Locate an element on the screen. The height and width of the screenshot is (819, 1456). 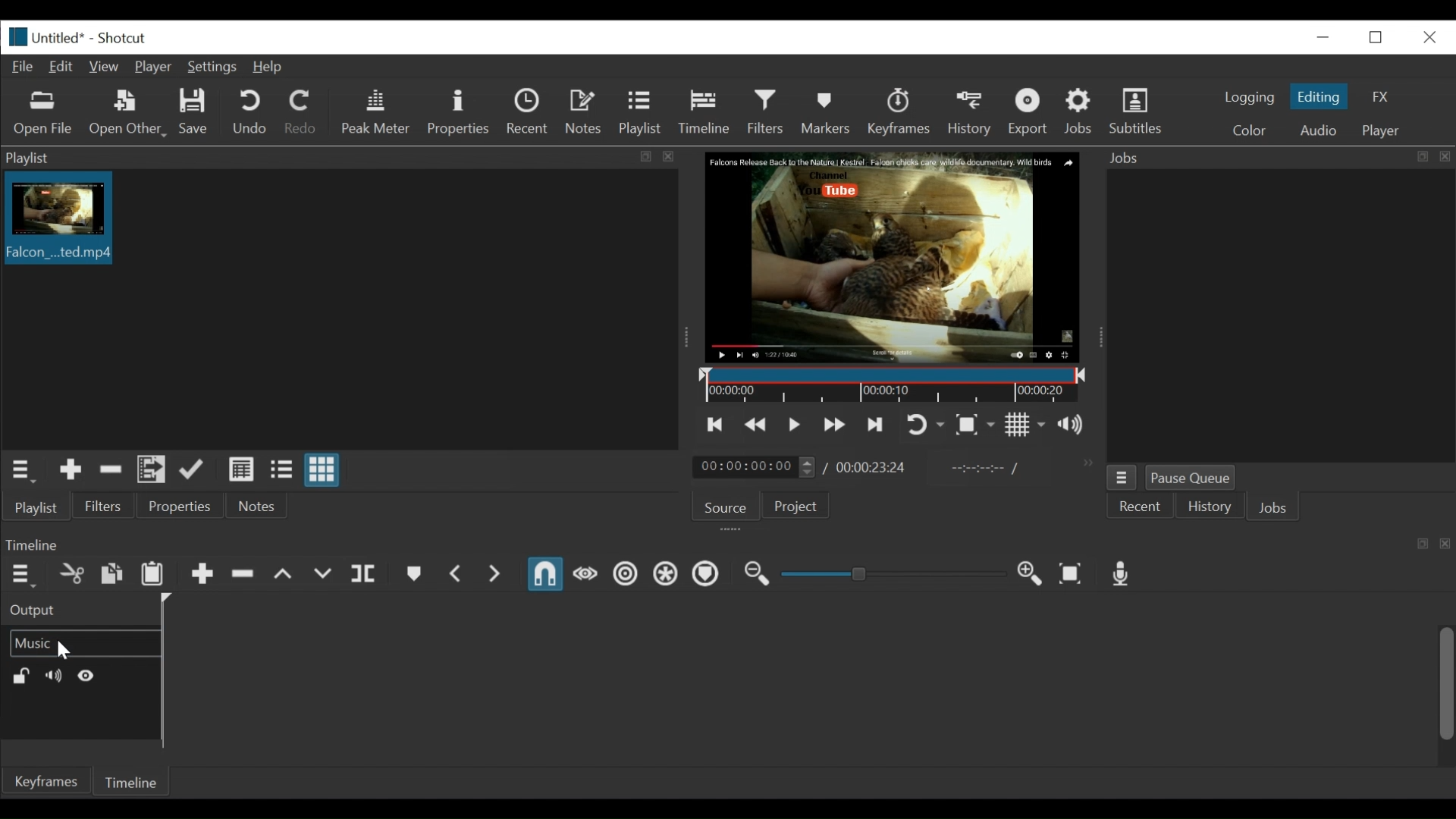
Record audio is located at coordinates (1122, 574).